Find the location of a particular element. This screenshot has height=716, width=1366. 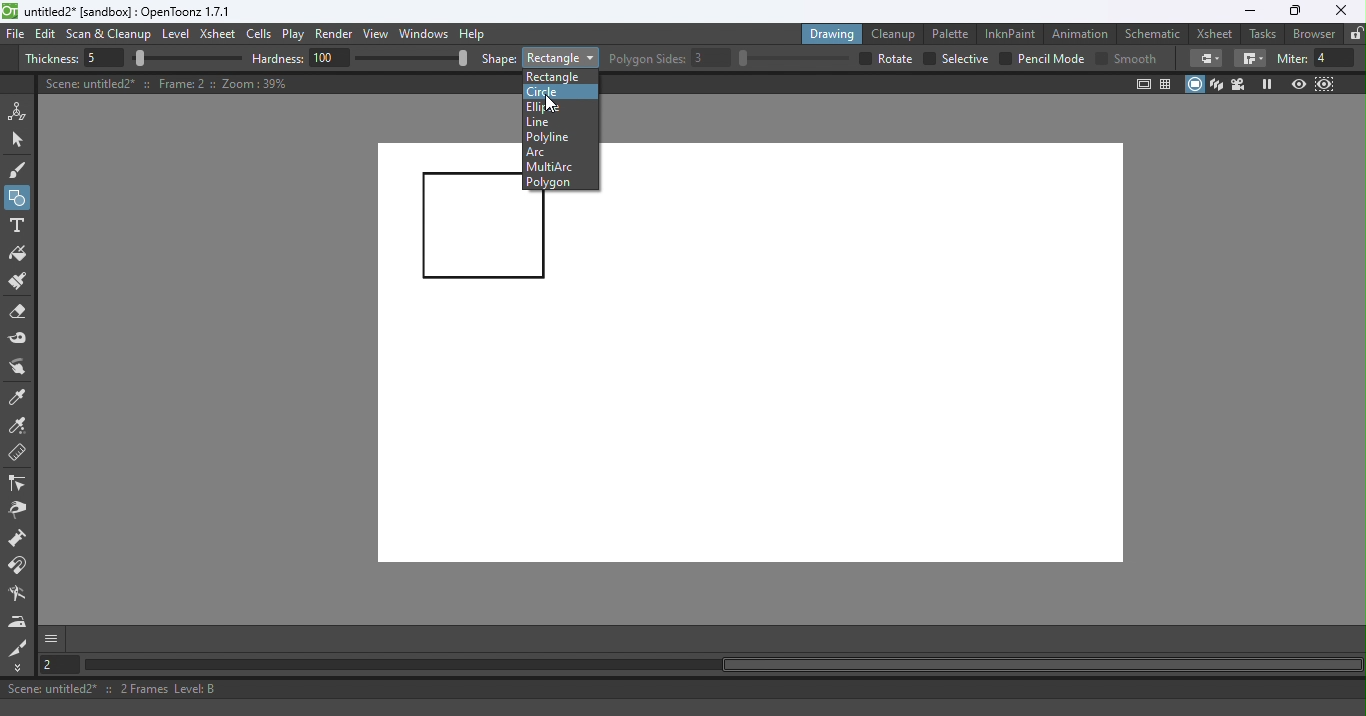

Selection tool is located at coordinates (21, 139).